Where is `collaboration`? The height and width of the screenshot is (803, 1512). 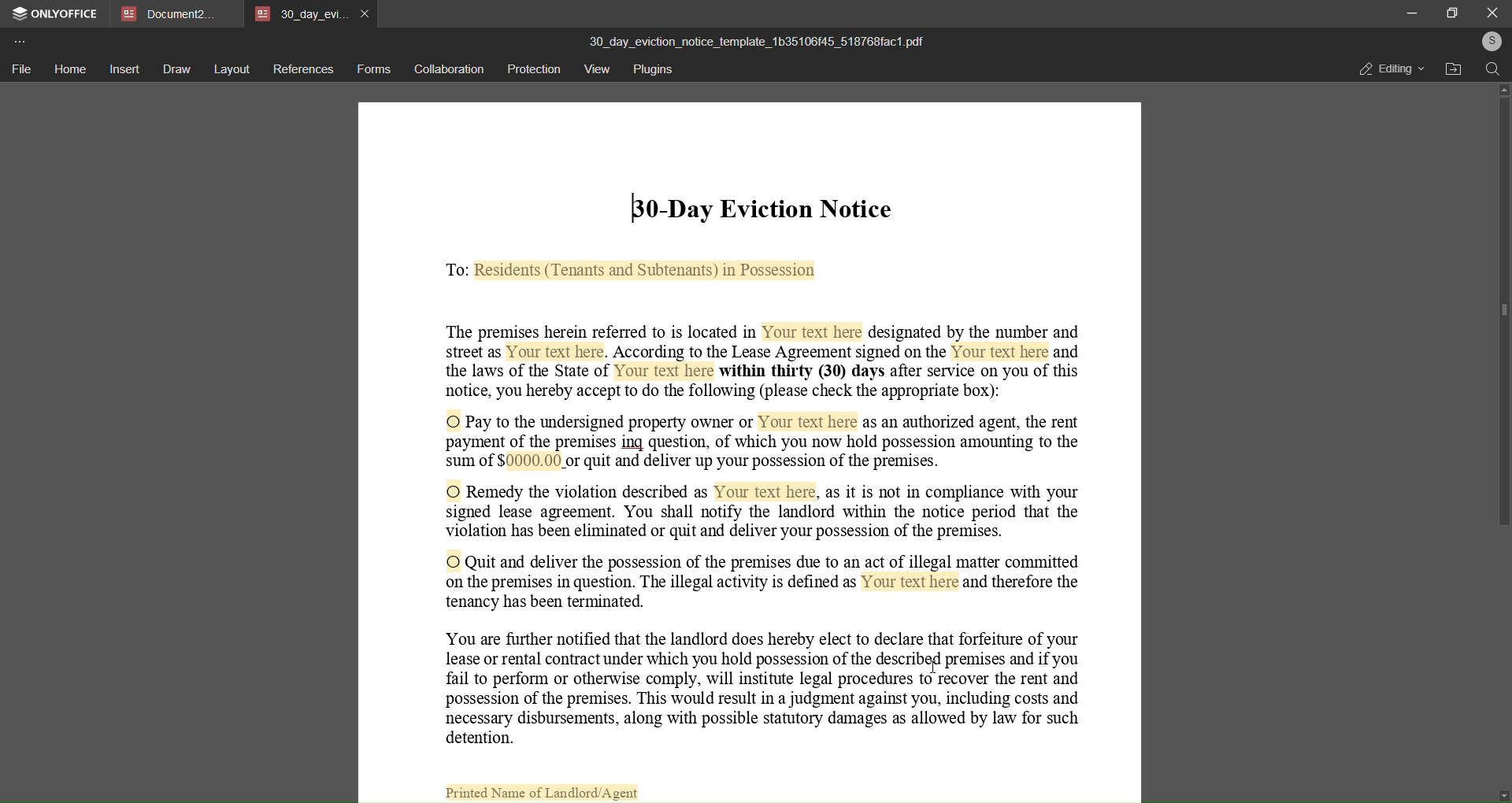 collaboration is located at coordinates (447, 70).